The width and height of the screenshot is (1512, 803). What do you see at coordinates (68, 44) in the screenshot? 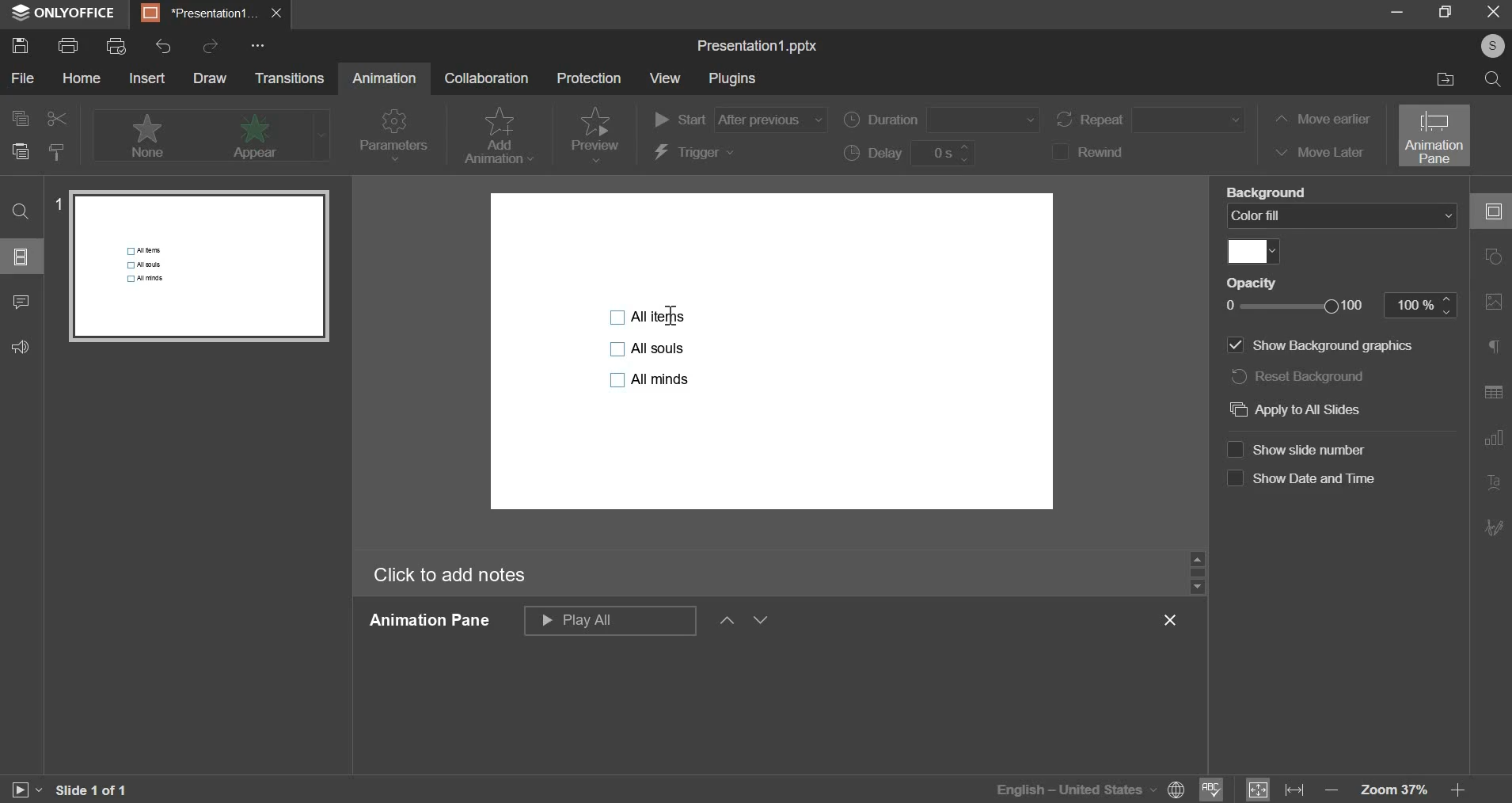
I see `print` at bounding box center [68, 44].